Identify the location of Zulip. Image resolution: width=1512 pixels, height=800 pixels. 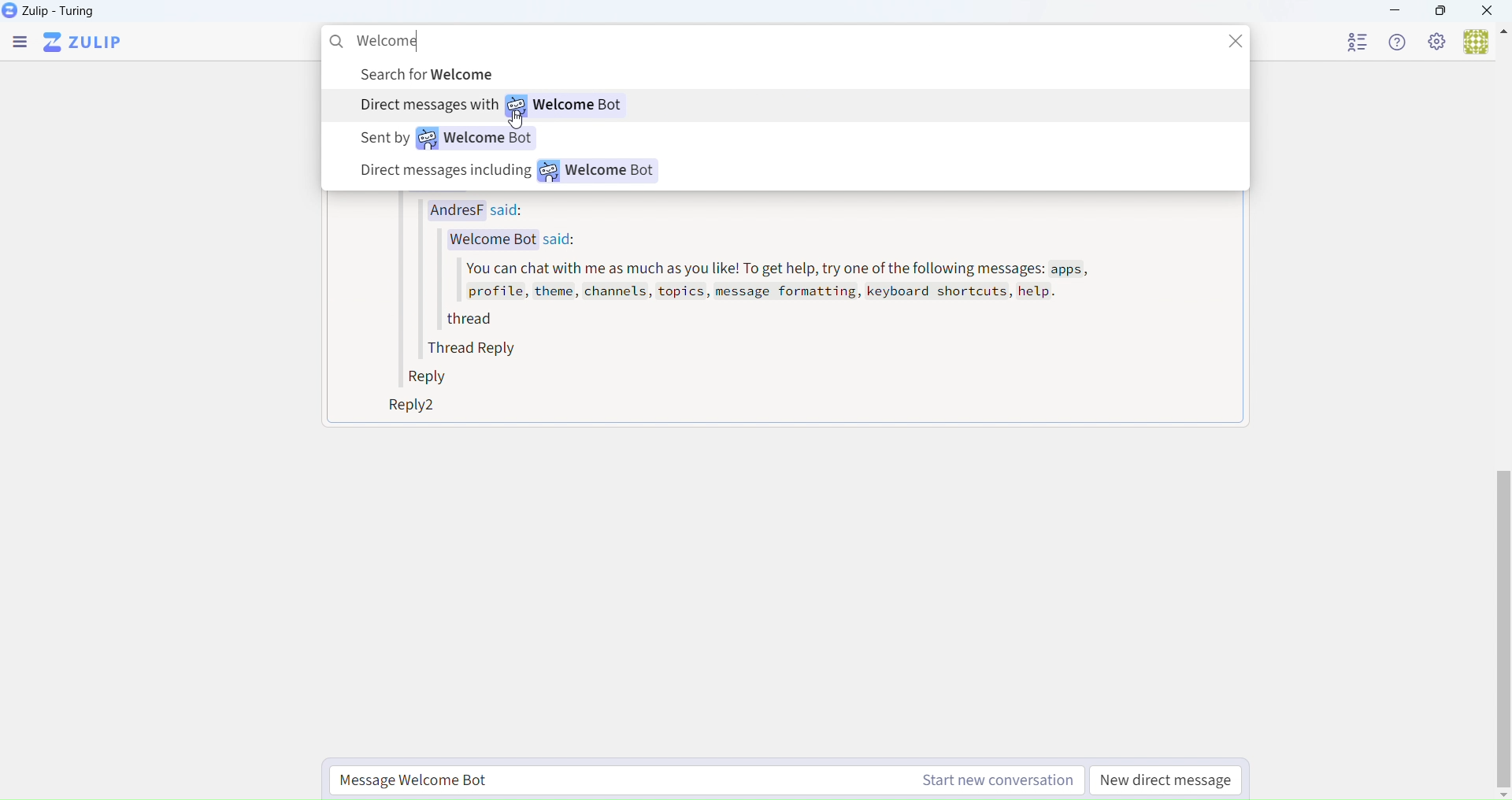
(50, 11).